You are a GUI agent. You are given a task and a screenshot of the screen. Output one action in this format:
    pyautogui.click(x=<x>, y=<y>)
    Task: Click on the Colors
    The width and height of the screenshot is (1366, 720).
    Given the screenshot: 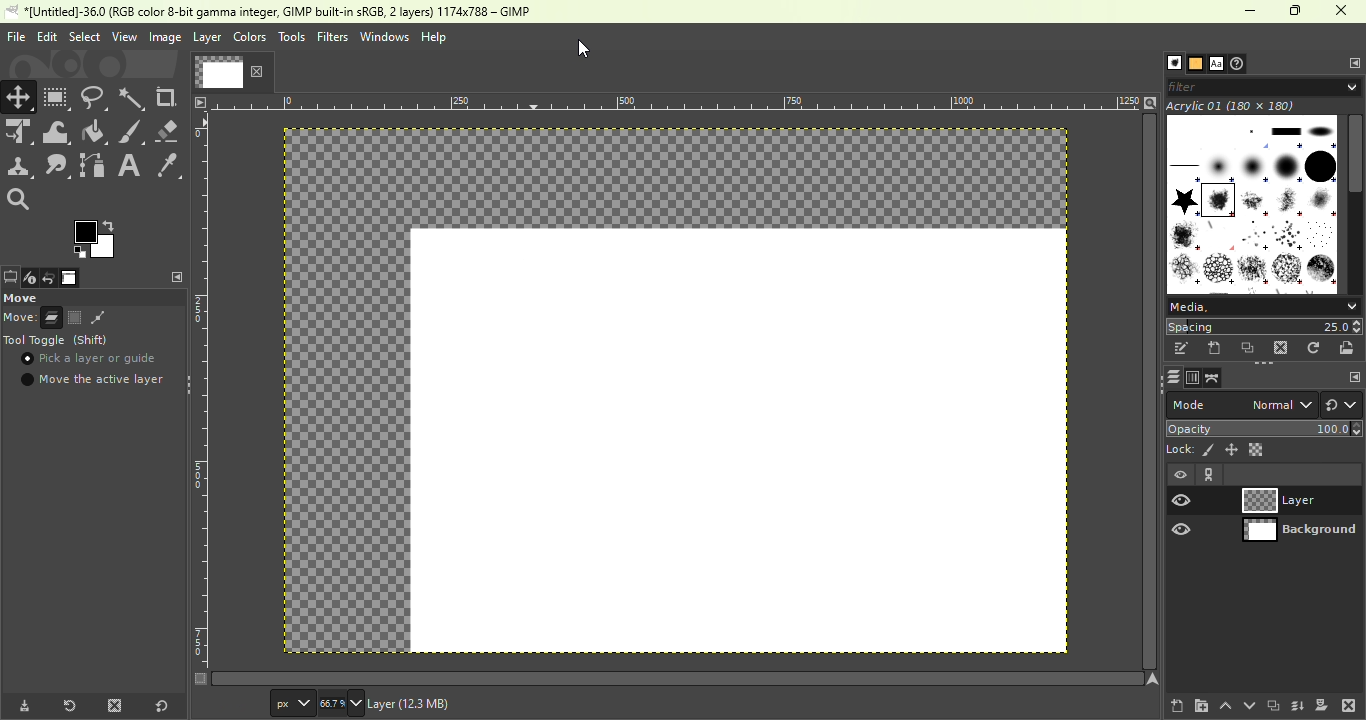 What is the action you would take?
    pyautogui.click(x=250, y=36)
    